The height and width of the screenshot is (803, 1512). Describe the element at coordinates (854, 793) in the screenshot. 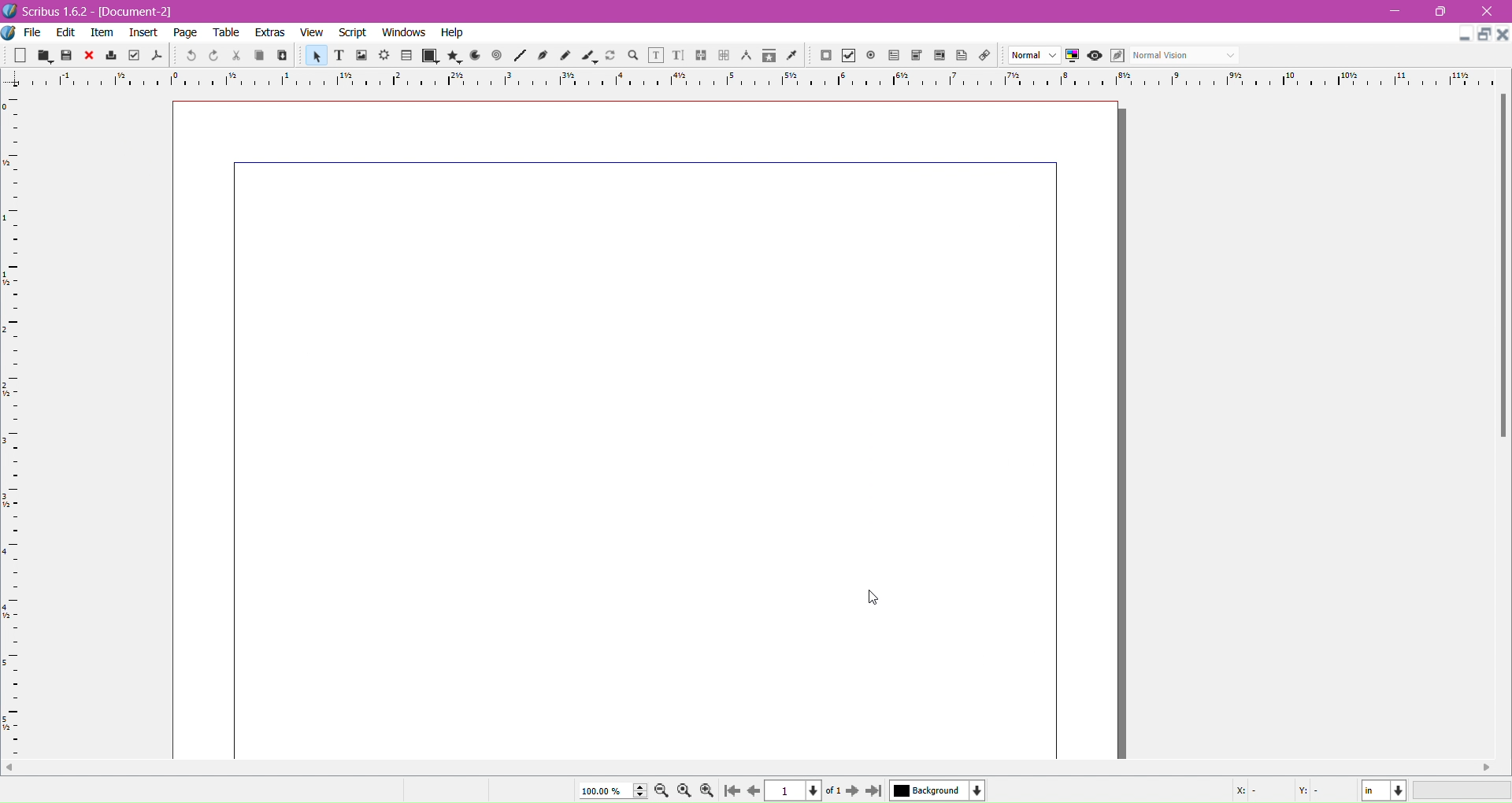

I see `next` at that location.